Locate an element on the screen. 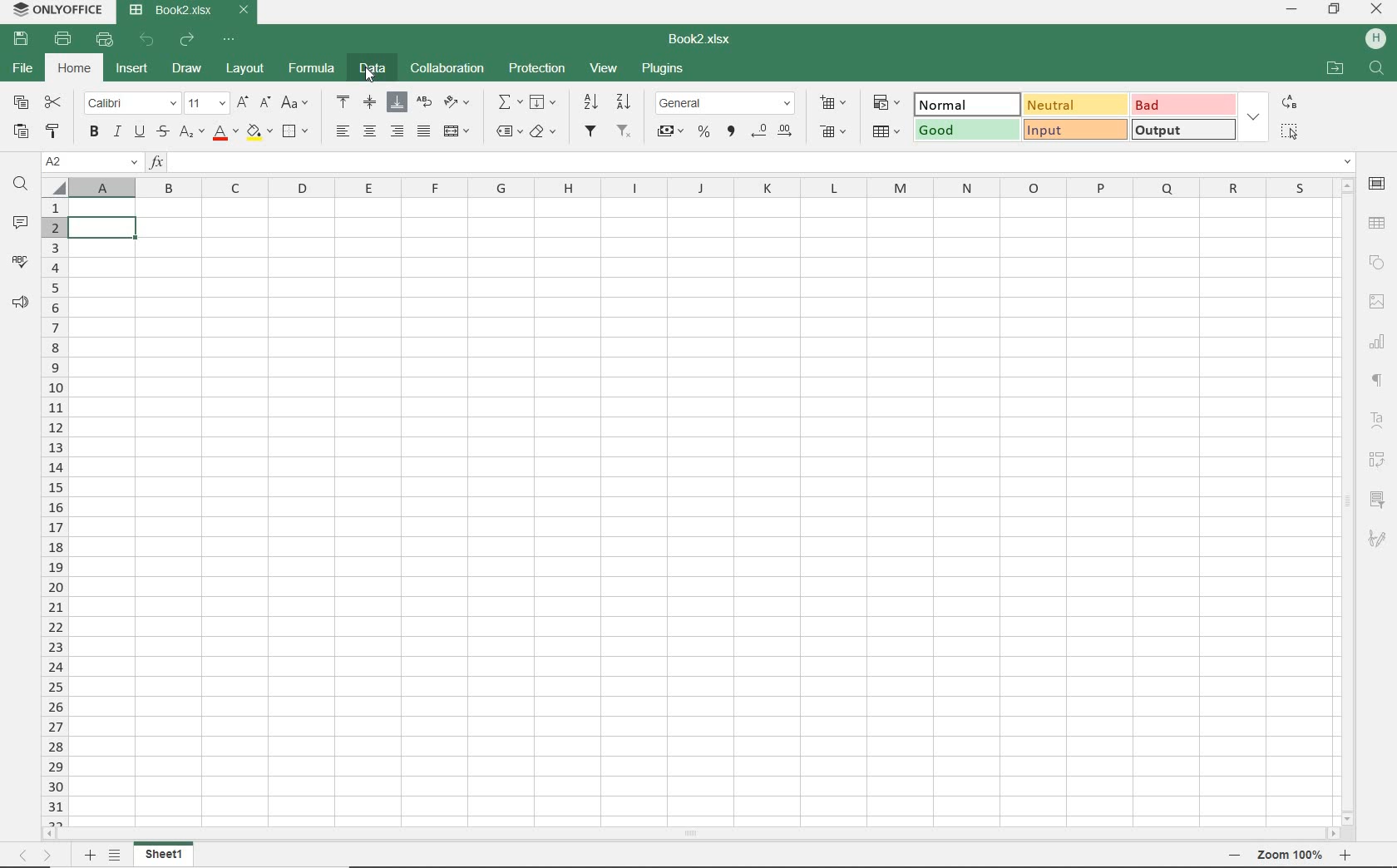 Image resolution: width=1397 pixels, height=868 pixels. FONT is located at coordinates (129, 103).